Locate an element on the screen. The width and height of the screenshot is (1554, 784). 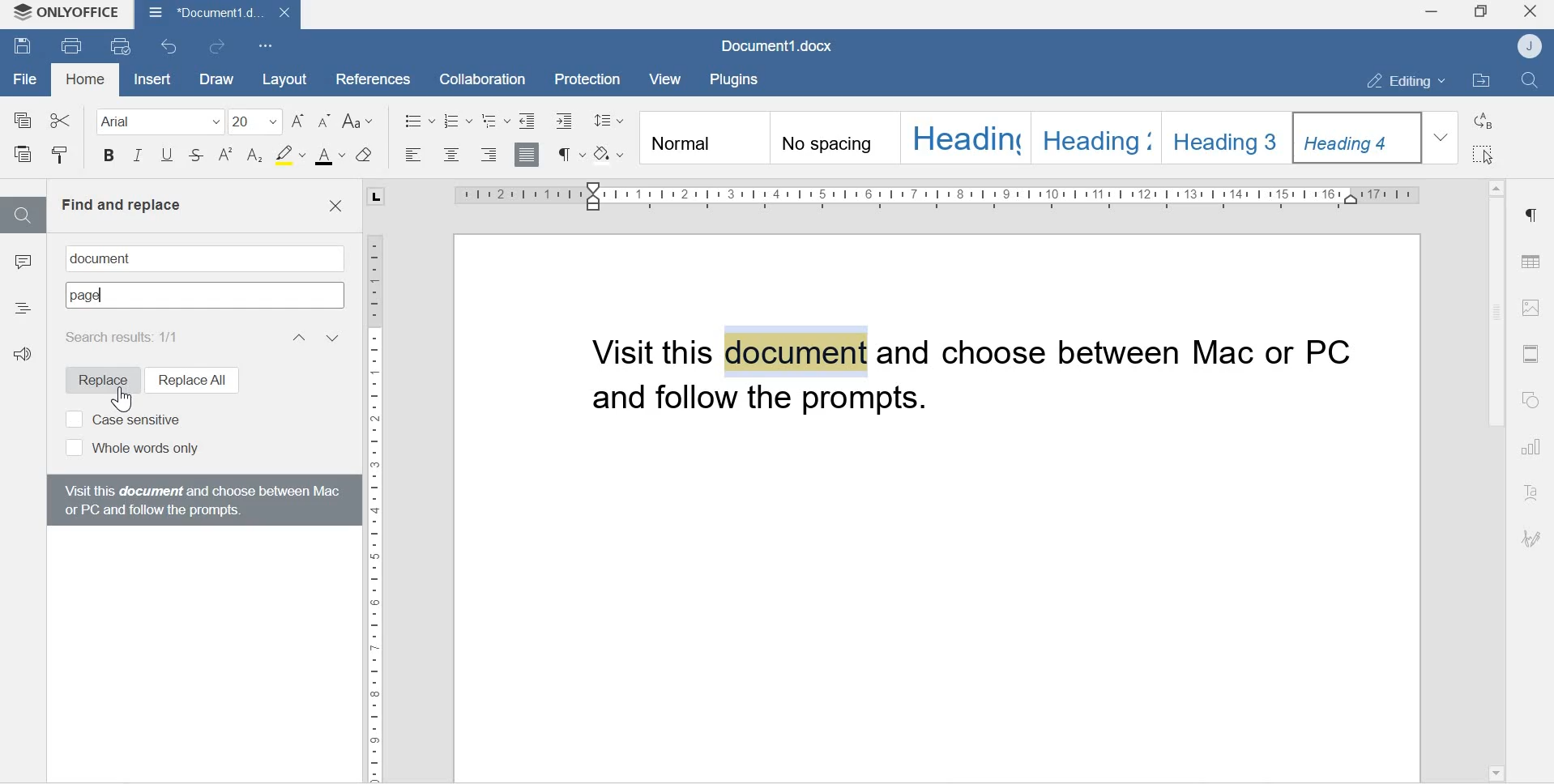
Collaboration is located at coordinates (476, 78).